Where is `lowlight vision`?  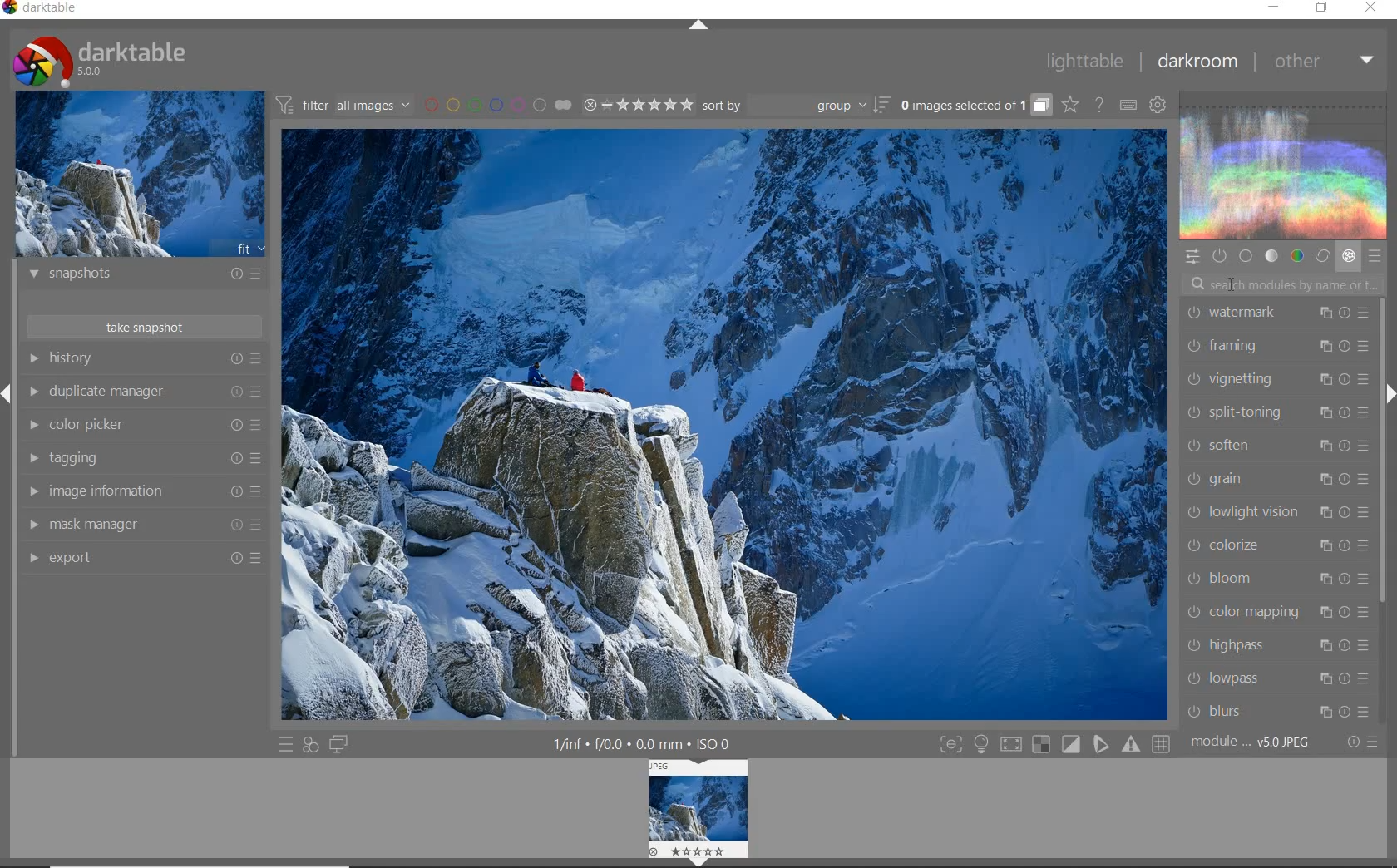
lowlight vision is located at coordinates (1276, 510).